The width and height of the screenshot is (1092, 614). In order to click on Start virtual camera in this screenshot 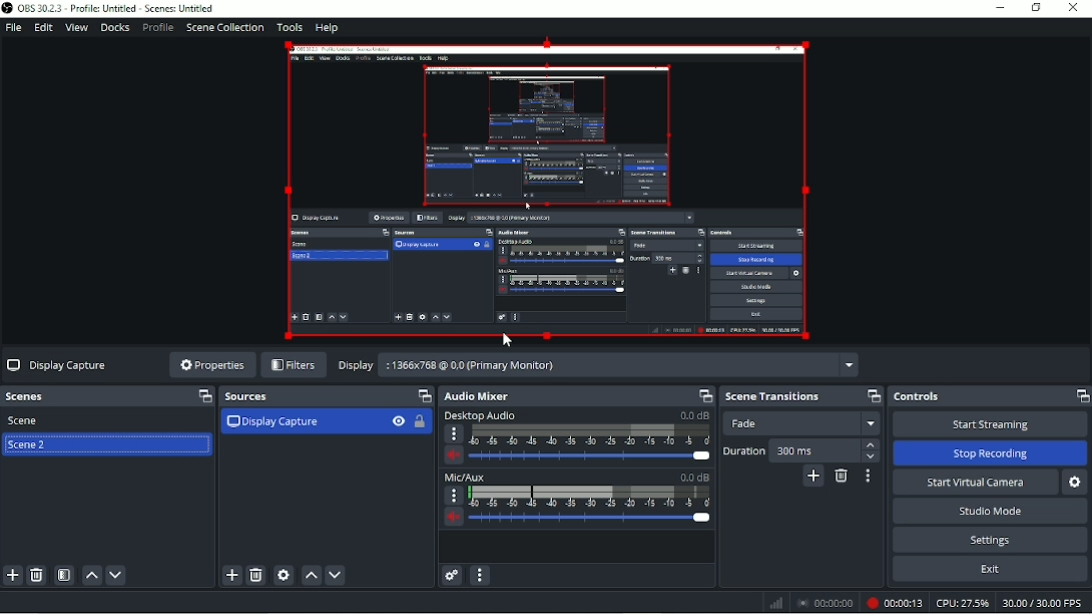, I will do `click(975, 482)`.